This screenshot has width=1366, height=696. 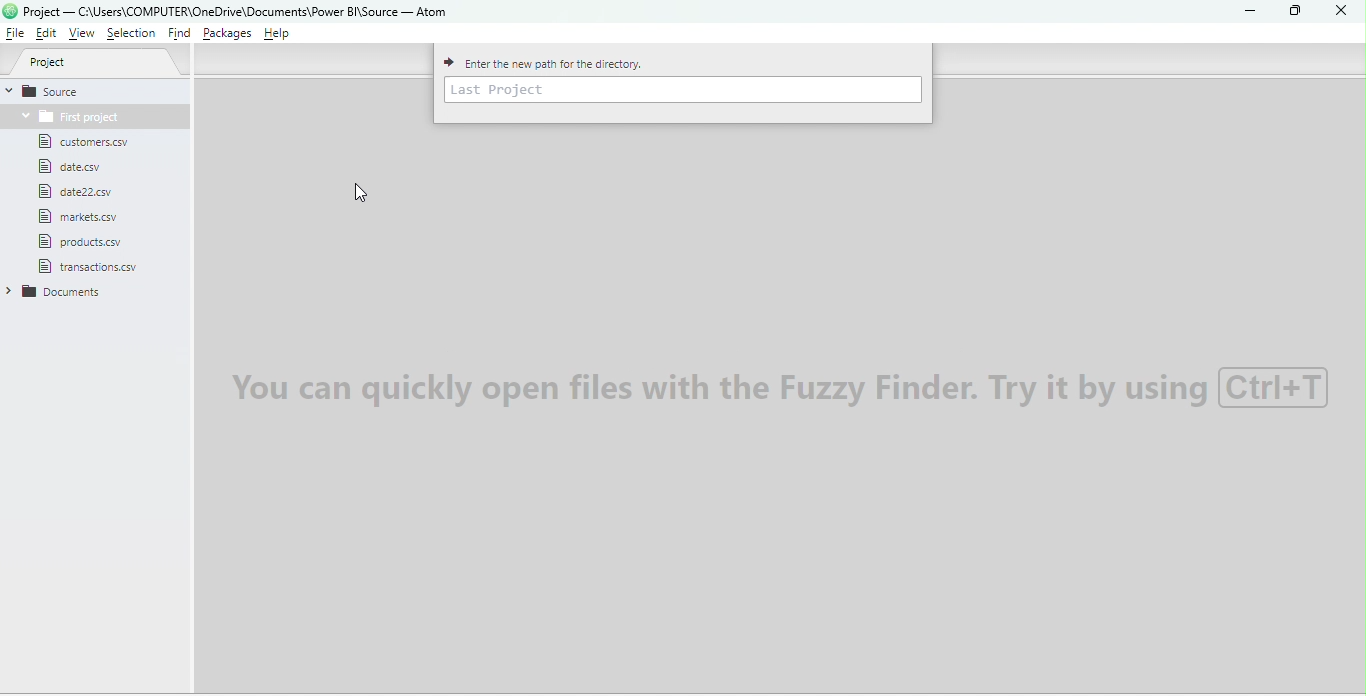 What do you see at coordinates (359, 193) in the screenshot?
I see `Cursor` at bounding box center [359, 193].